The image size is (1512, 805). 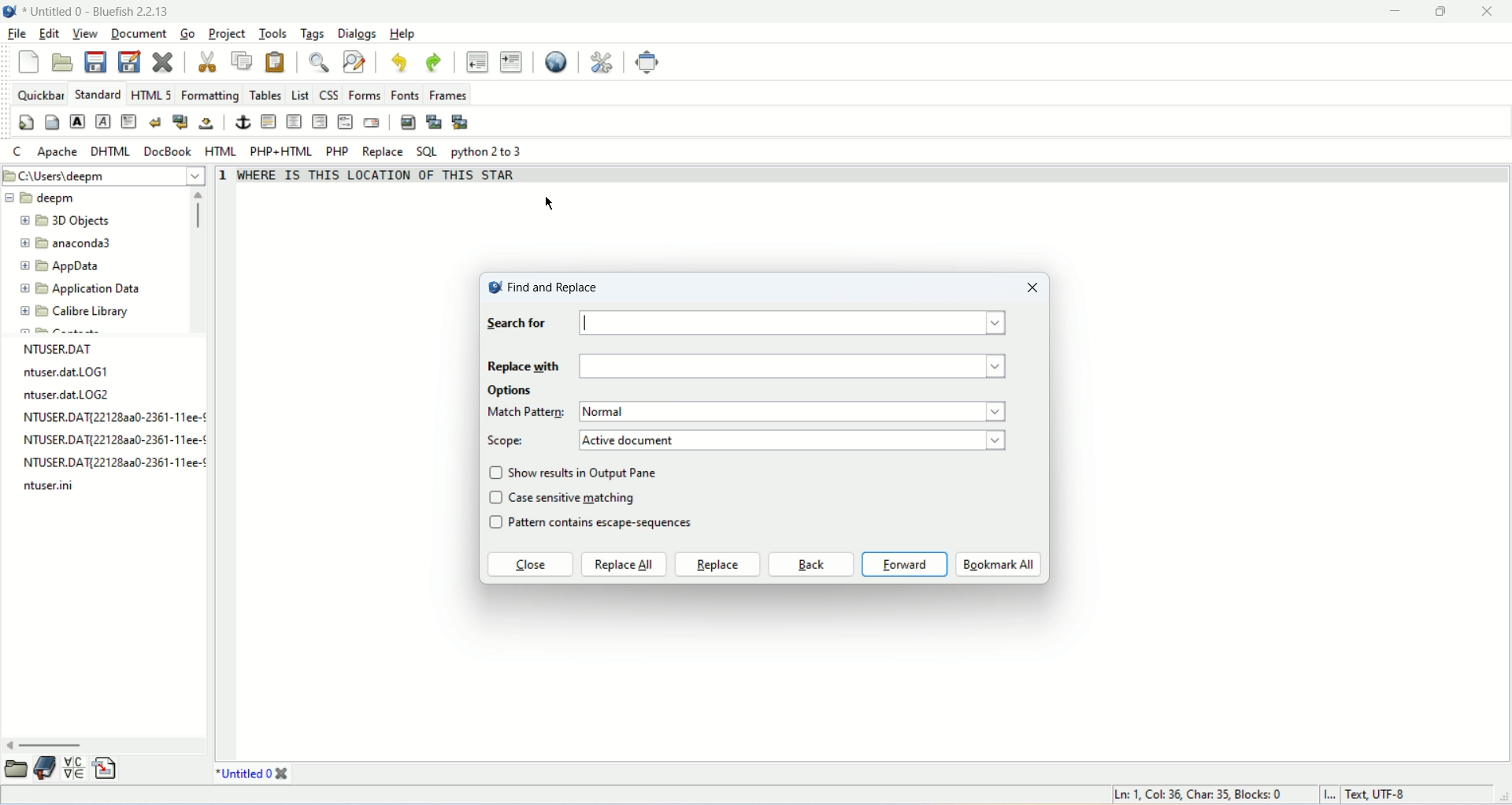 What do you see at coordinates (162, 61) in the screenshot?
I see `close` at bounding box center [162, 61].